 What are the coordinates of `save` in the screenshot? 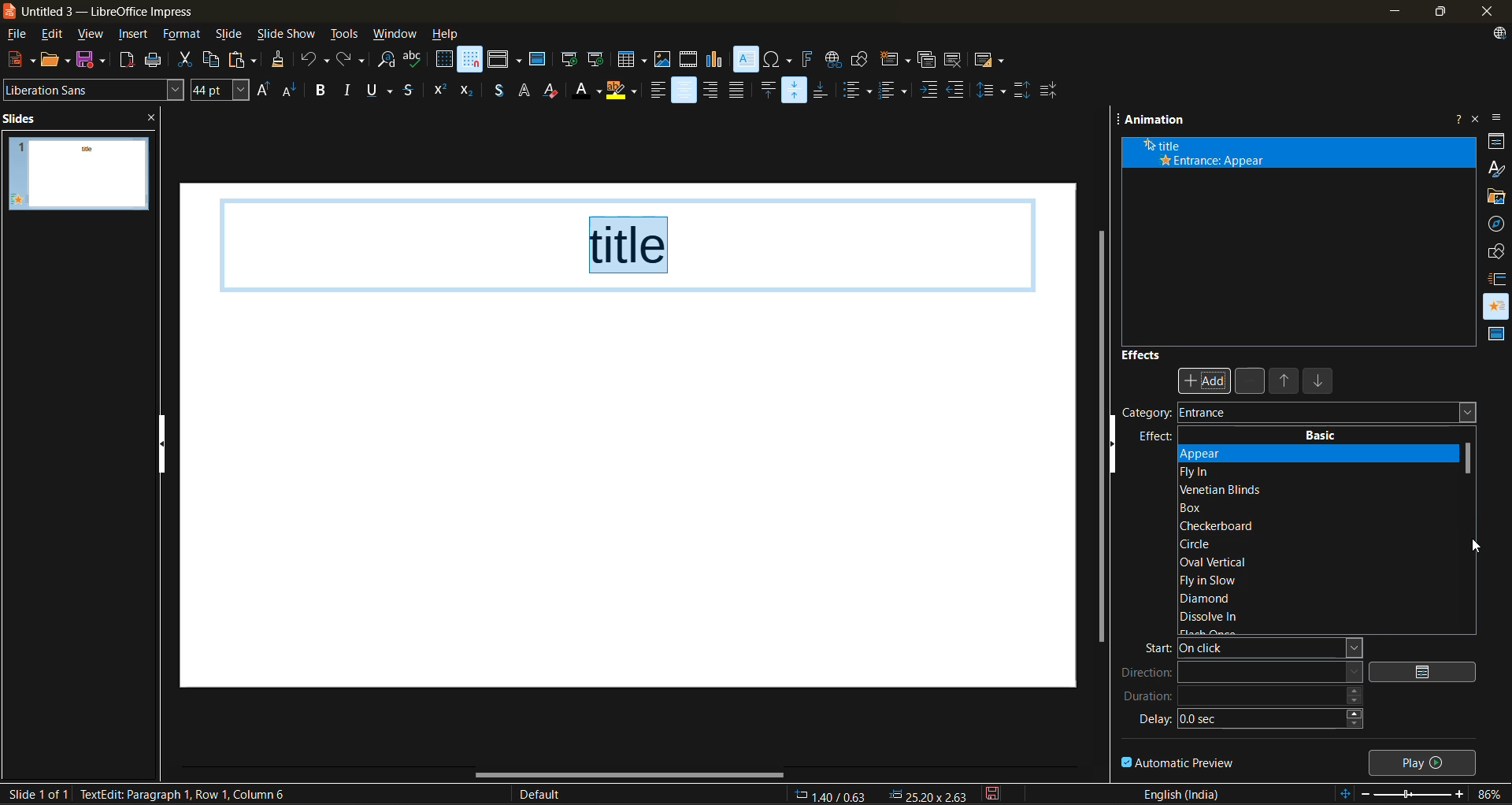 It's located at (93, 59).